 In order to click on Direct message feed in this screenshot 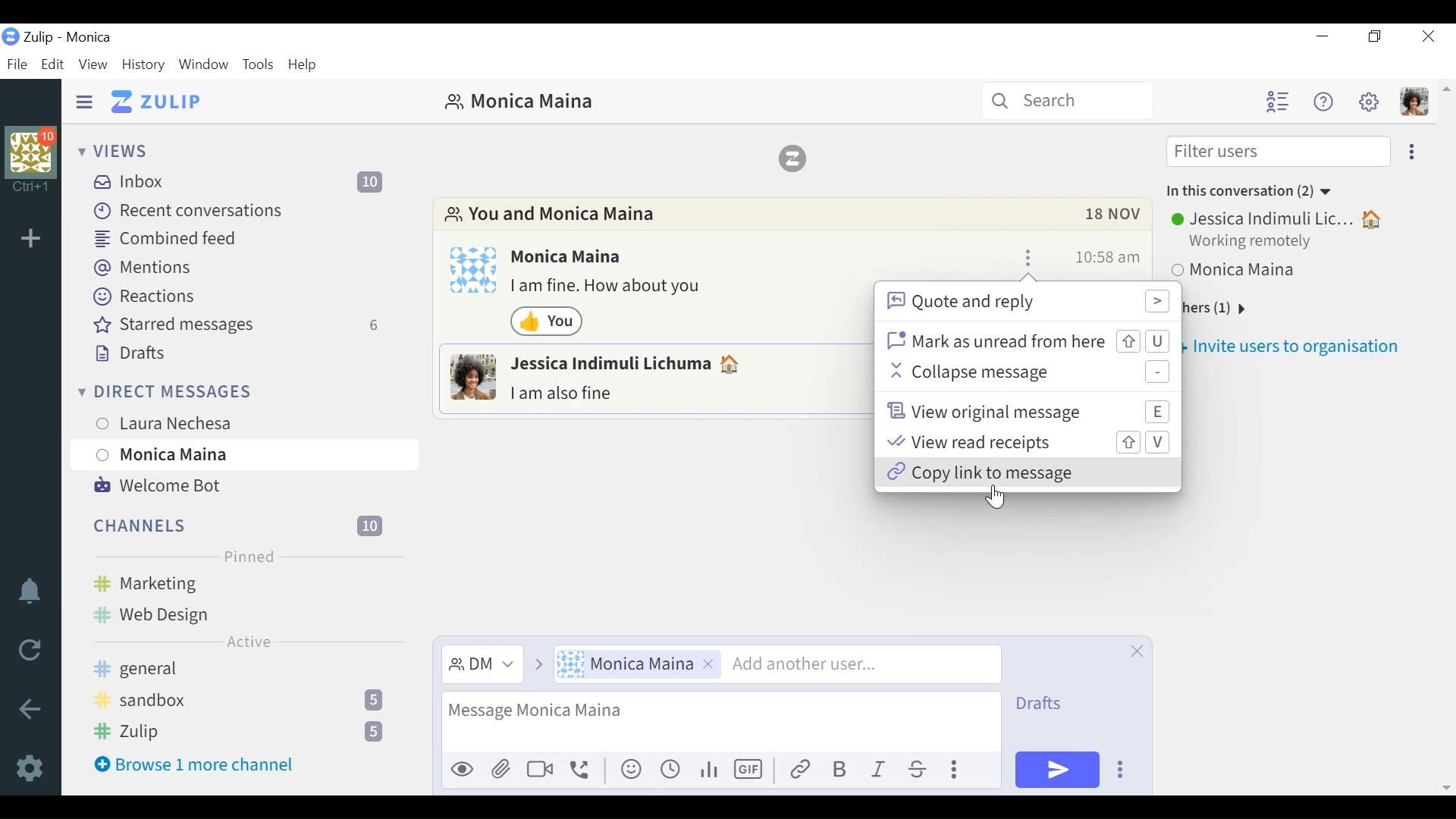, I will do `click(345, 391)`.